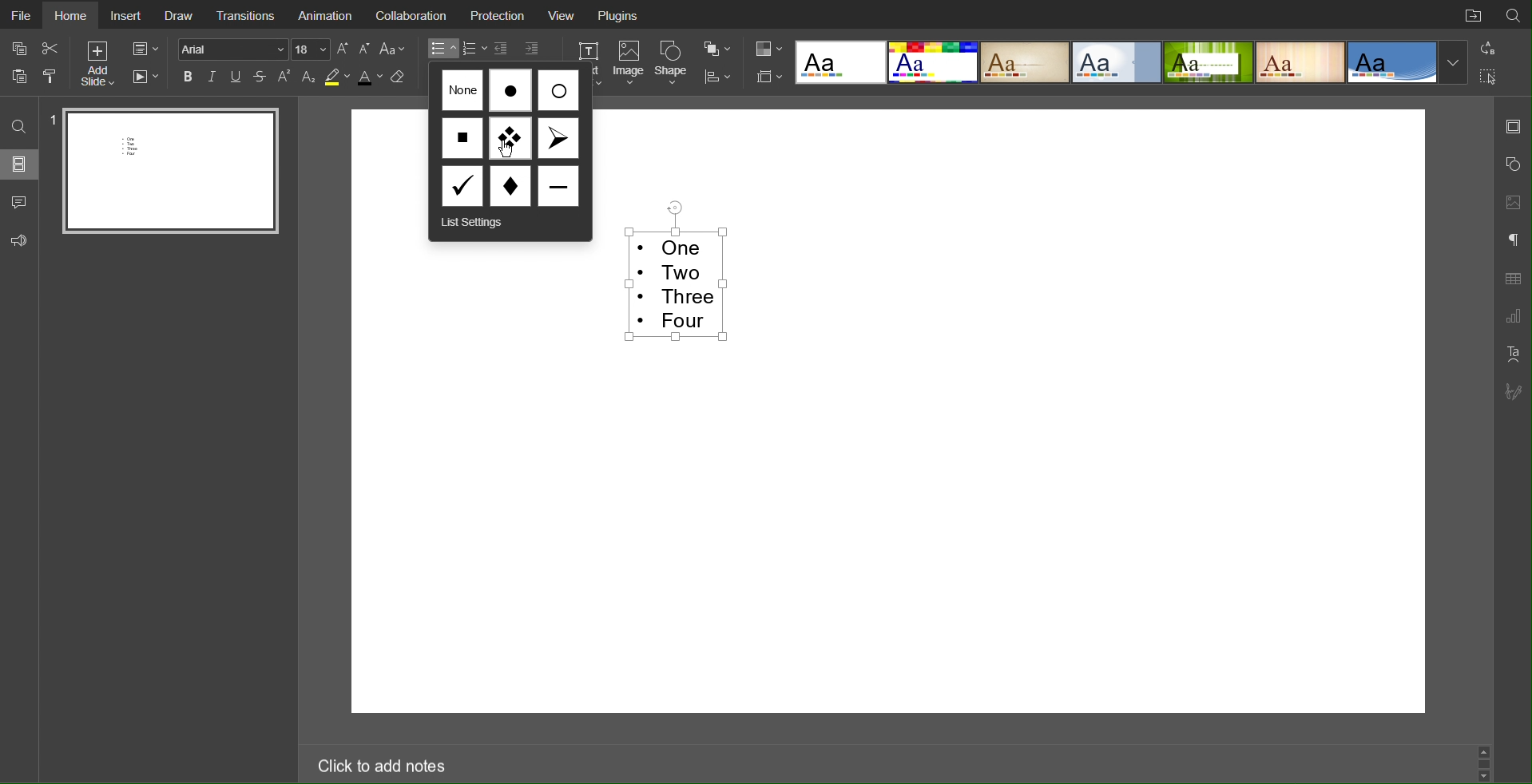  Describe the element at coordinates (37, 63) in the screenshot. I see `Cut Copy Paste Options` at that location.